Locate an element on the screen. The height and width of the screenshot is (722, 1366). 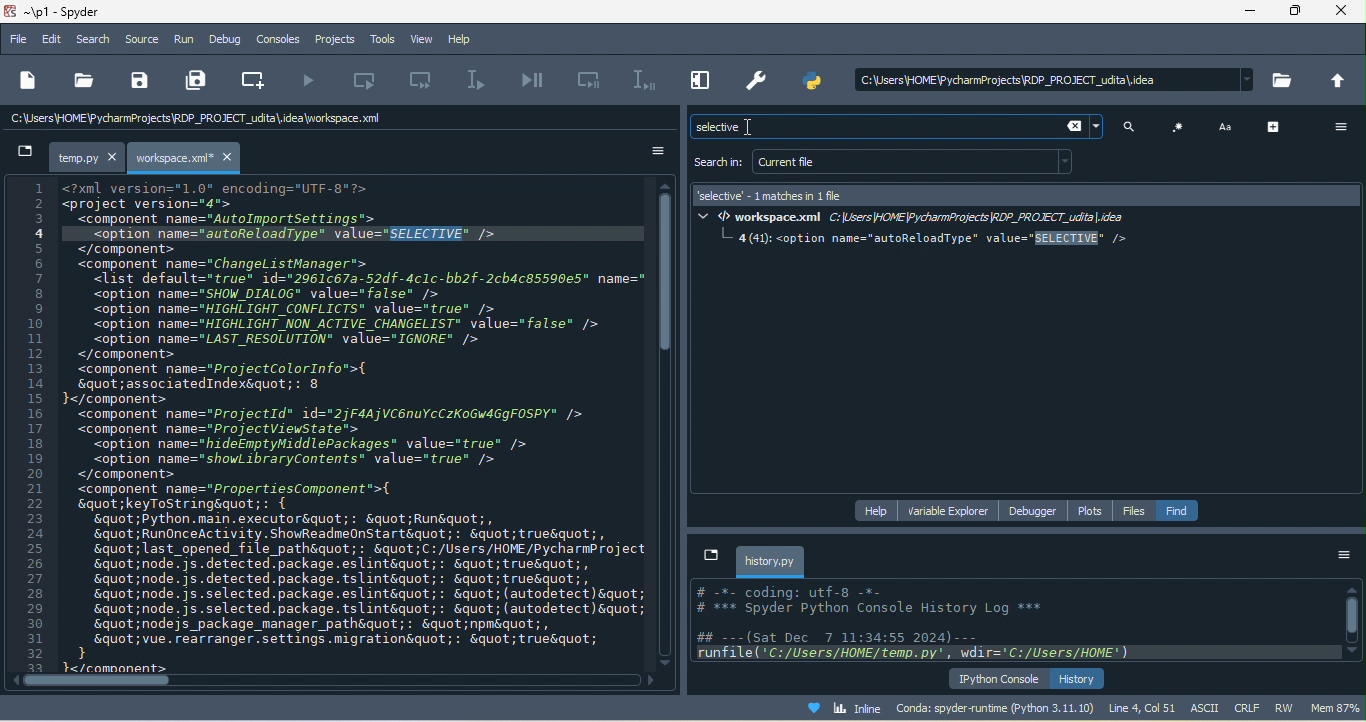
inline is located at coordinates (835, 706).